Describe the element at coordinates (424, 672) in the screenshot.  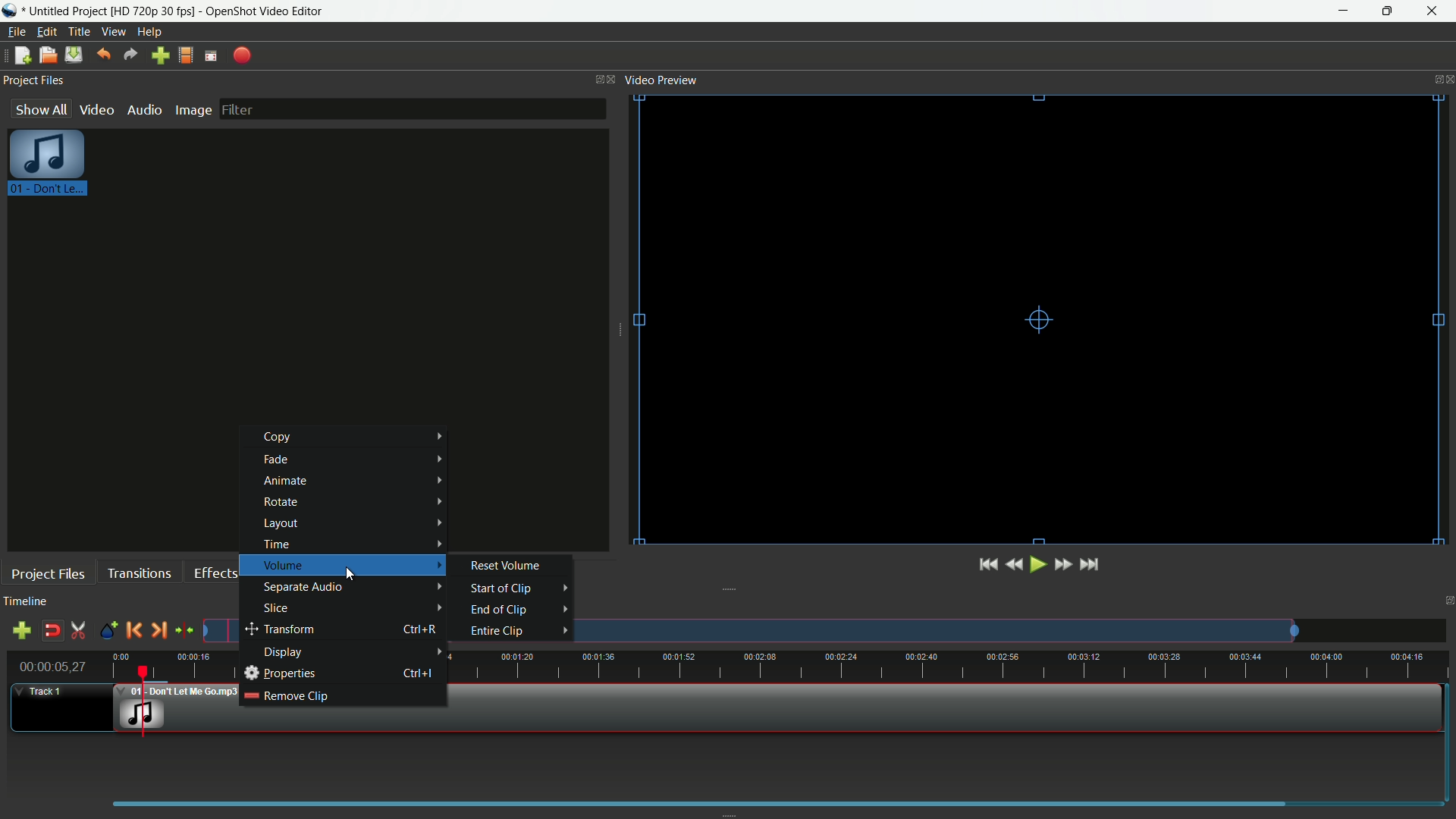
I see `keyboard shortcut` at that location.